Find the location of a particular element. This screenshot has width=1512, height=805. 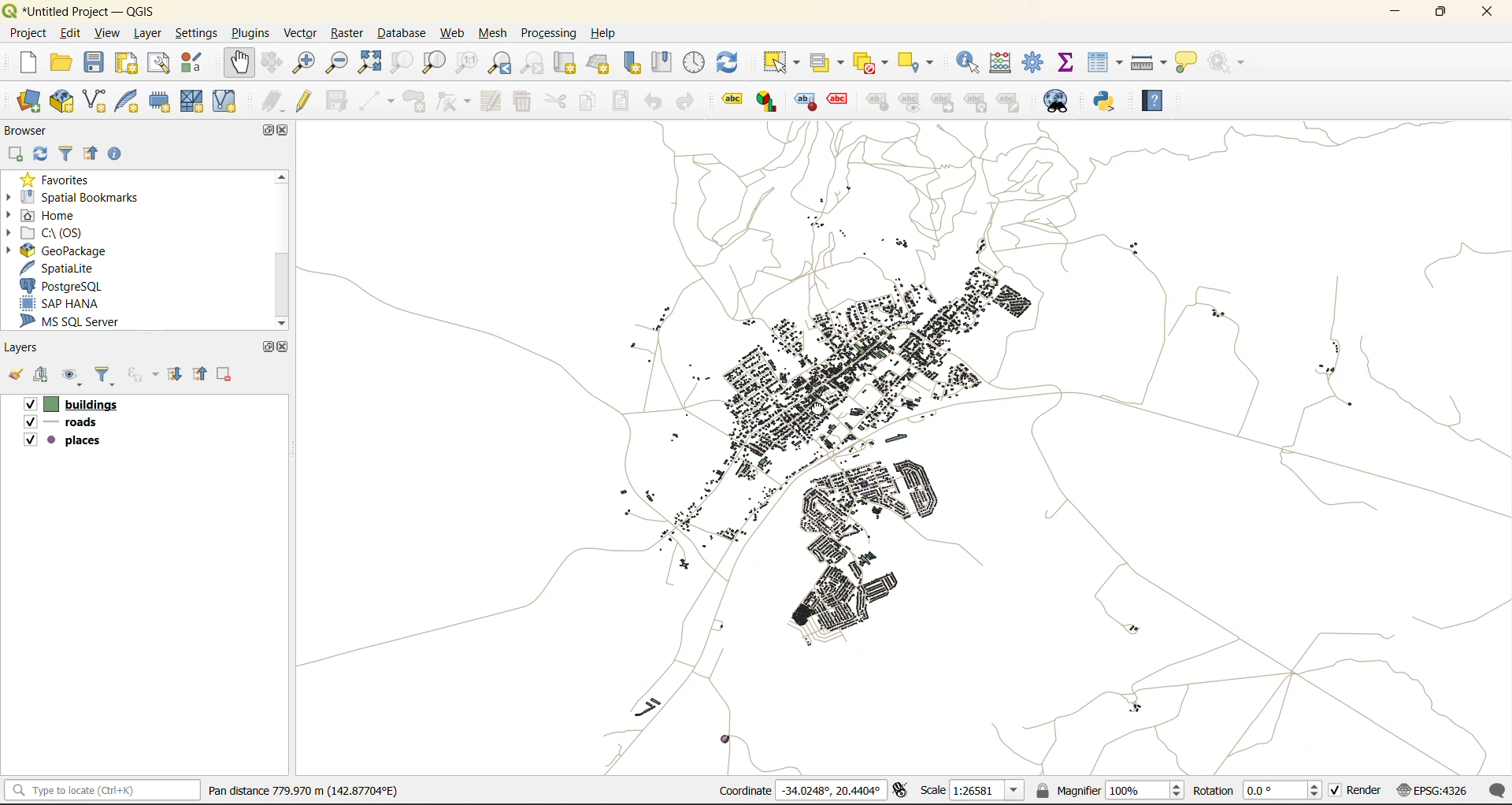

browser is located at coordinates (28, 128).